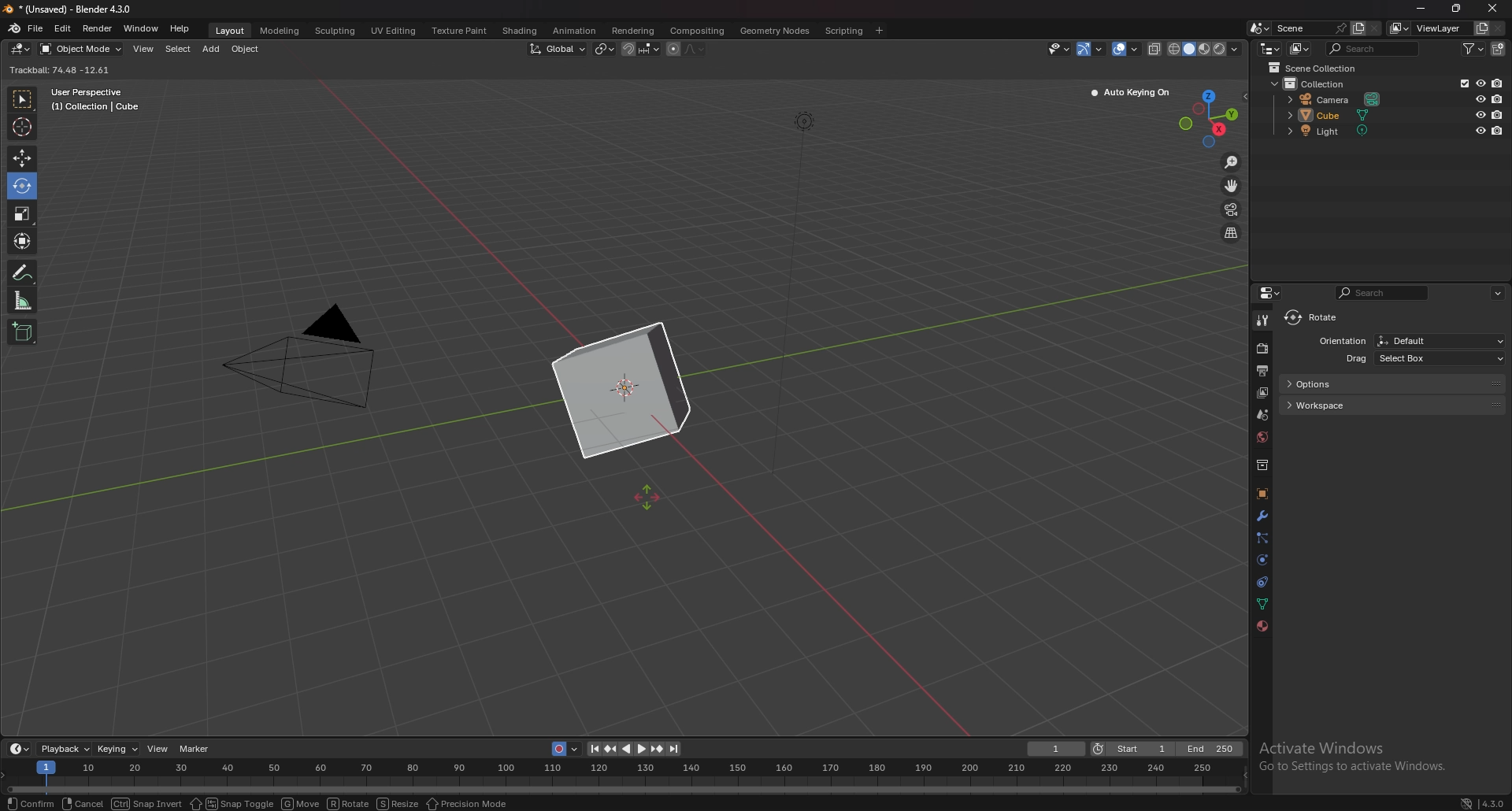  What do you see at coordinates (1263, 413) in the screenshot?
I see `scene` at bounding box center [1263, 413].